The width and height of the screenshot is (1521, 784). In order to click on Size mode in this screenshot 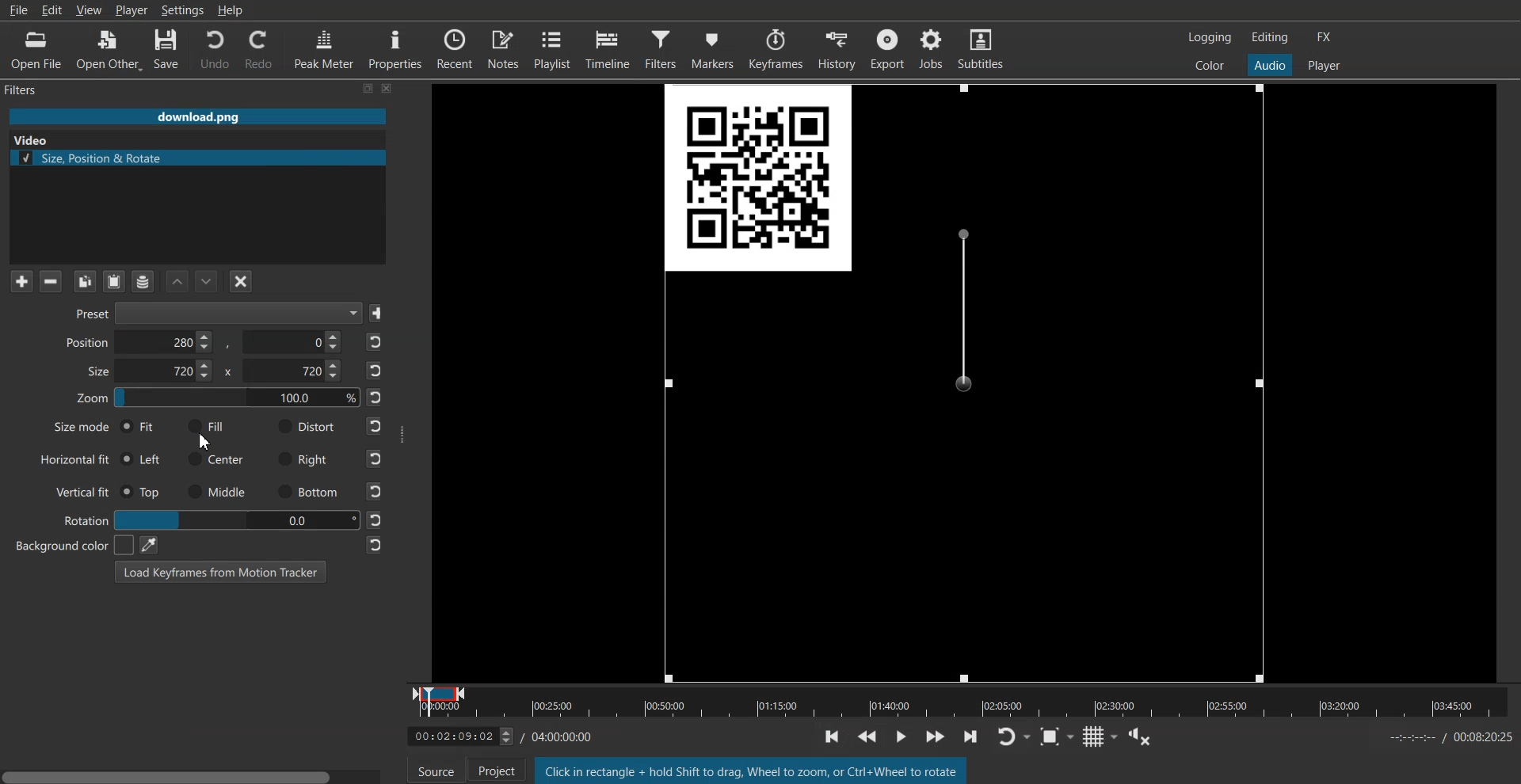, I will do `click(74, 428)`.